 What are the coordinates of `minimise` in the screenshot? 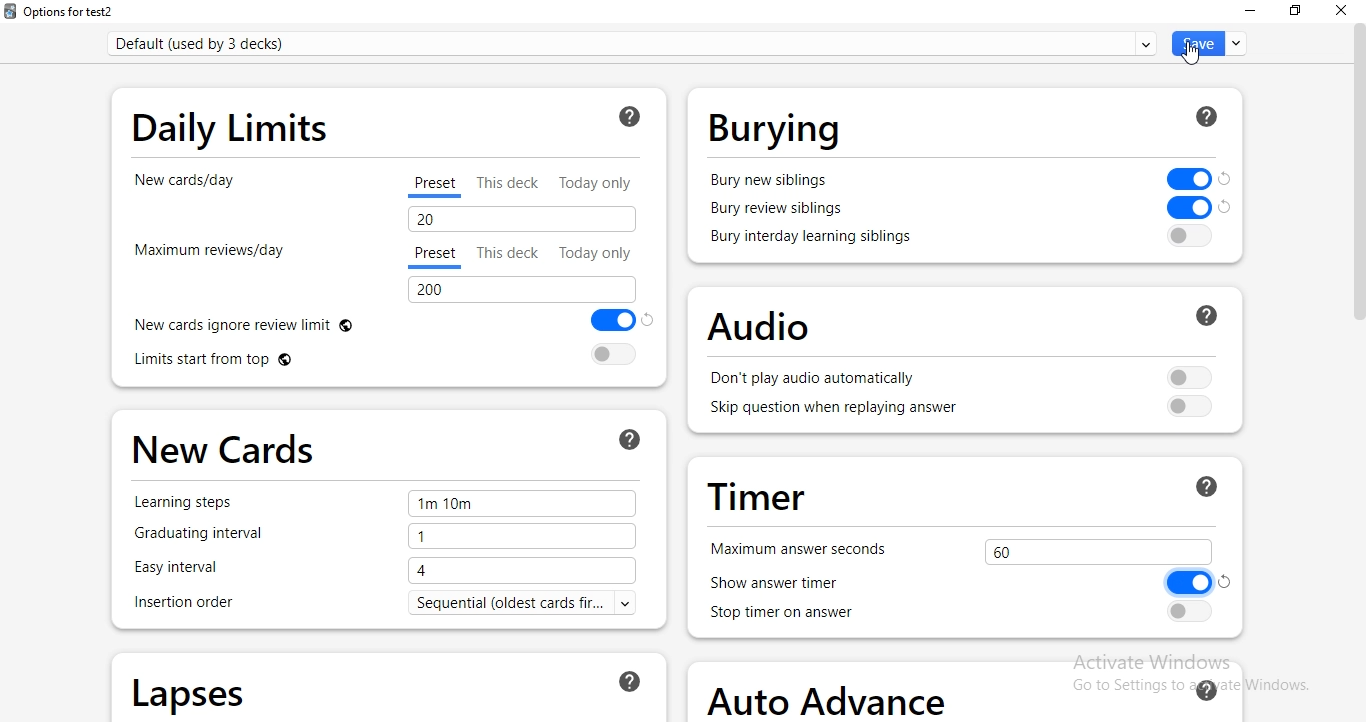 It's located at (1248, 12).